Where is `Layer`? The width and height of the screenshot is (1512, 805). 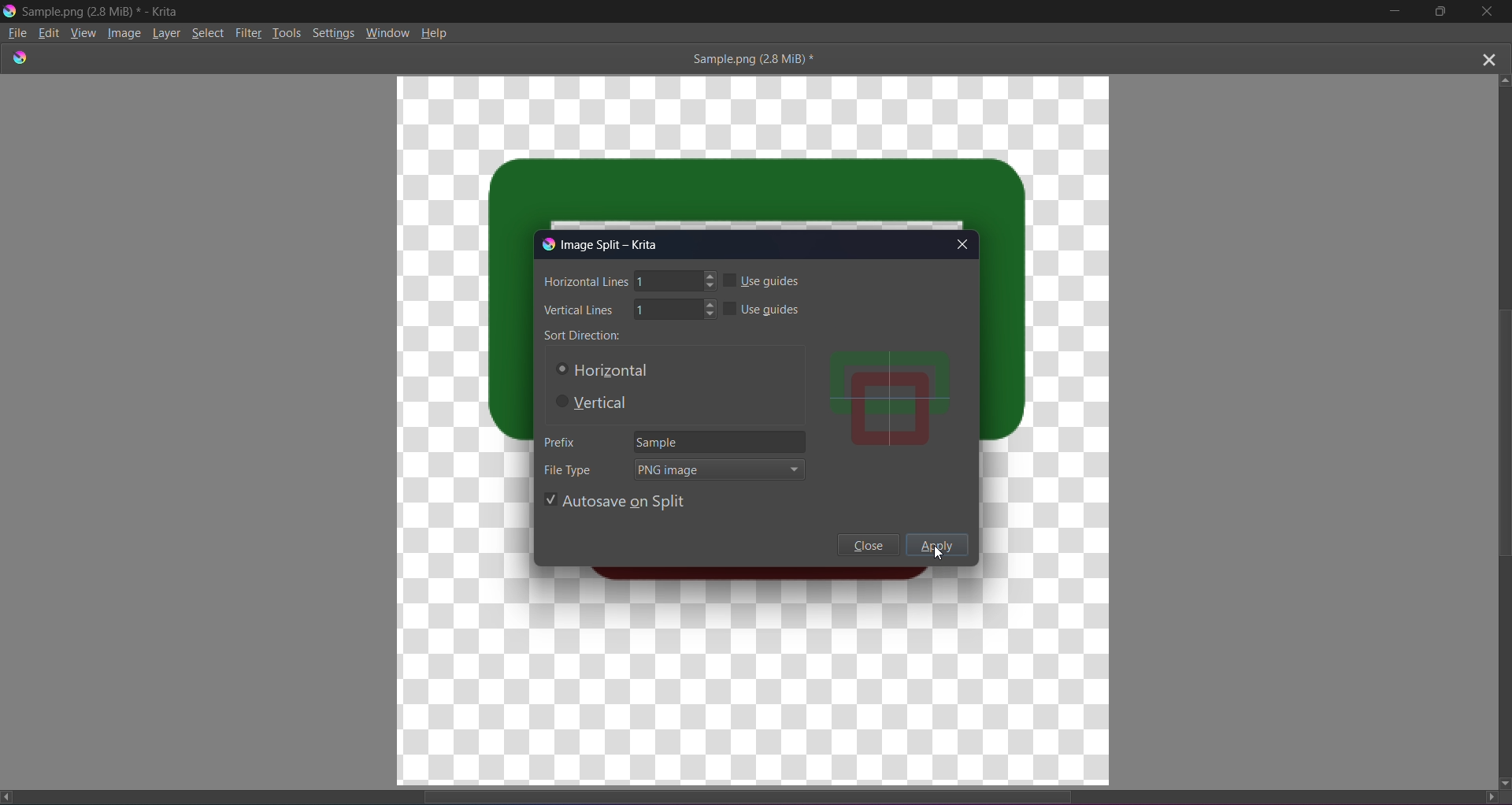
Layer is located at coordinates (169, 32).